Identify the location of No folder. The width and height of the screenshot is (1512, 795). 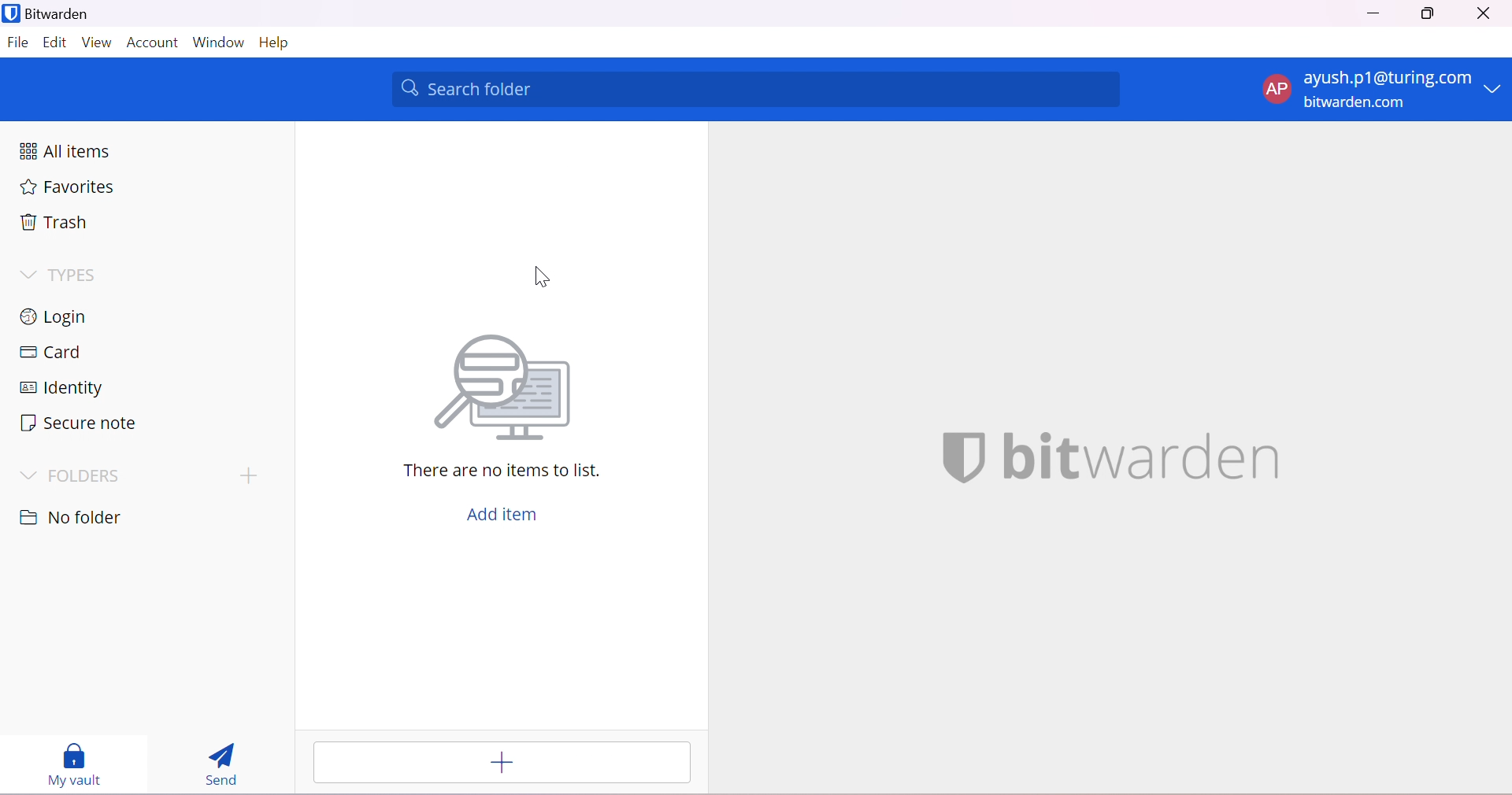
(73, 520).